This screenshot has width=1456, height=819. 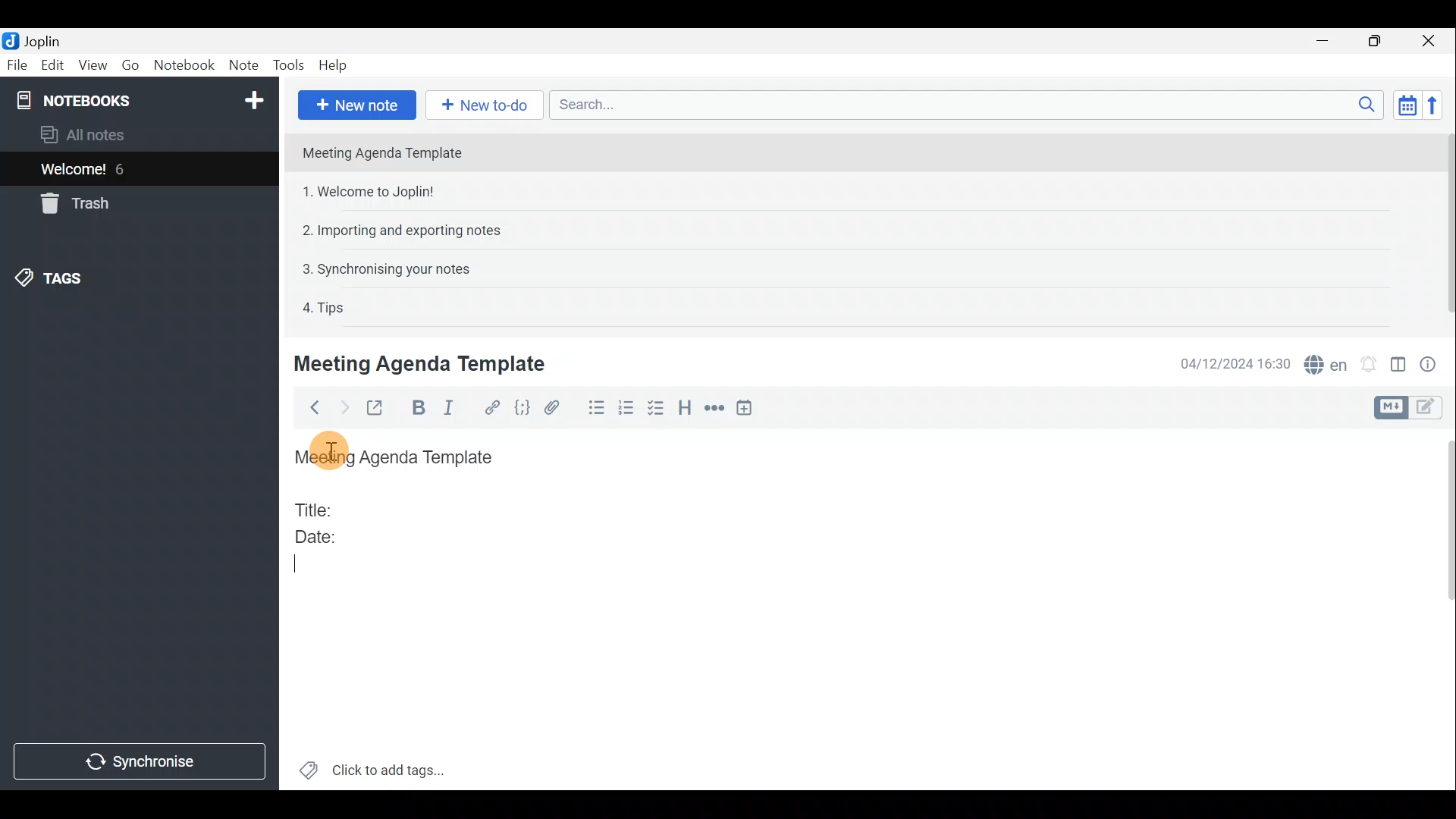 I want to click on , so click(x=331, y=450).